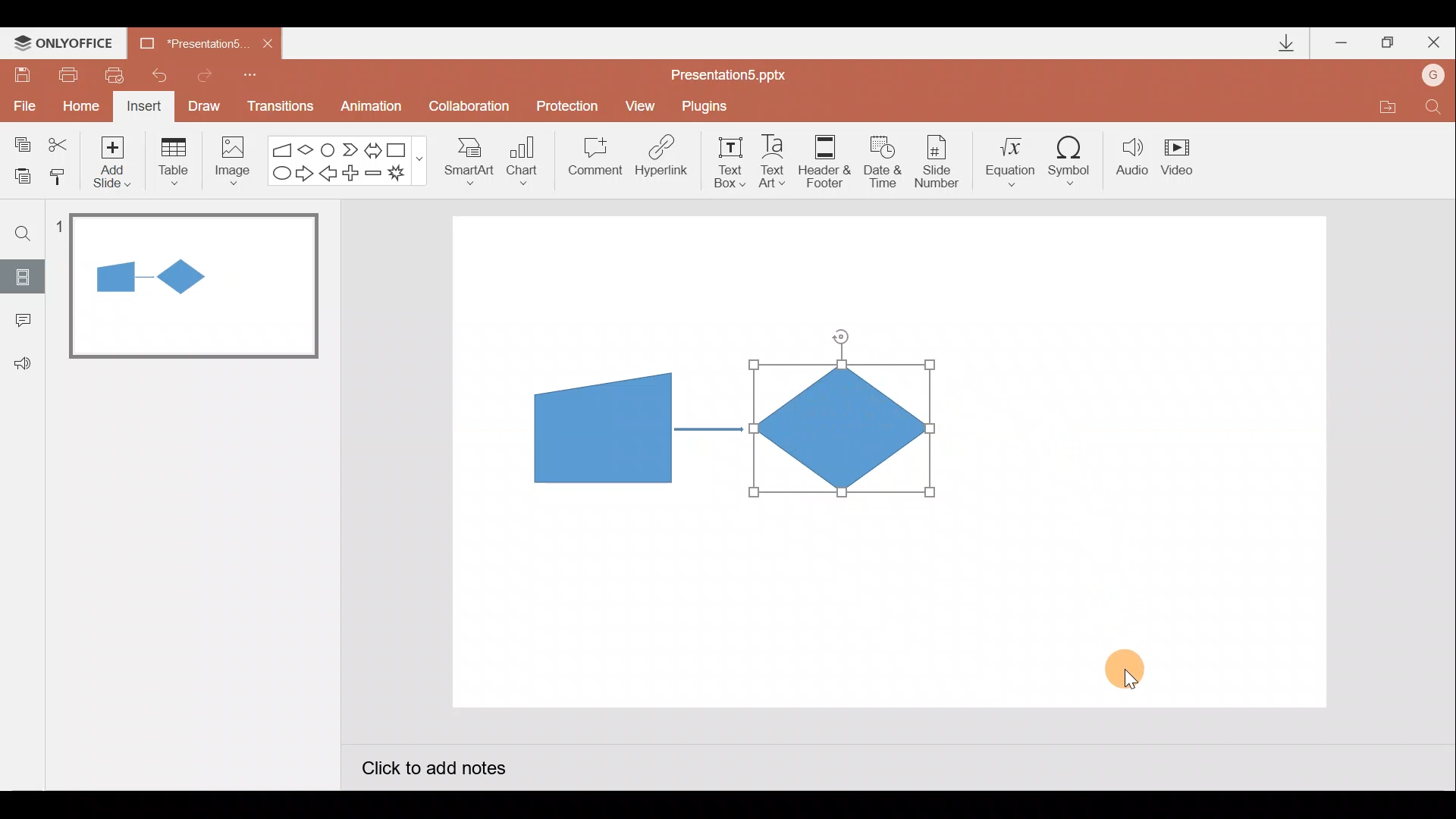  Describe the element at coordinates (1433, 111) in the screenshot. I see `Find` at that location.